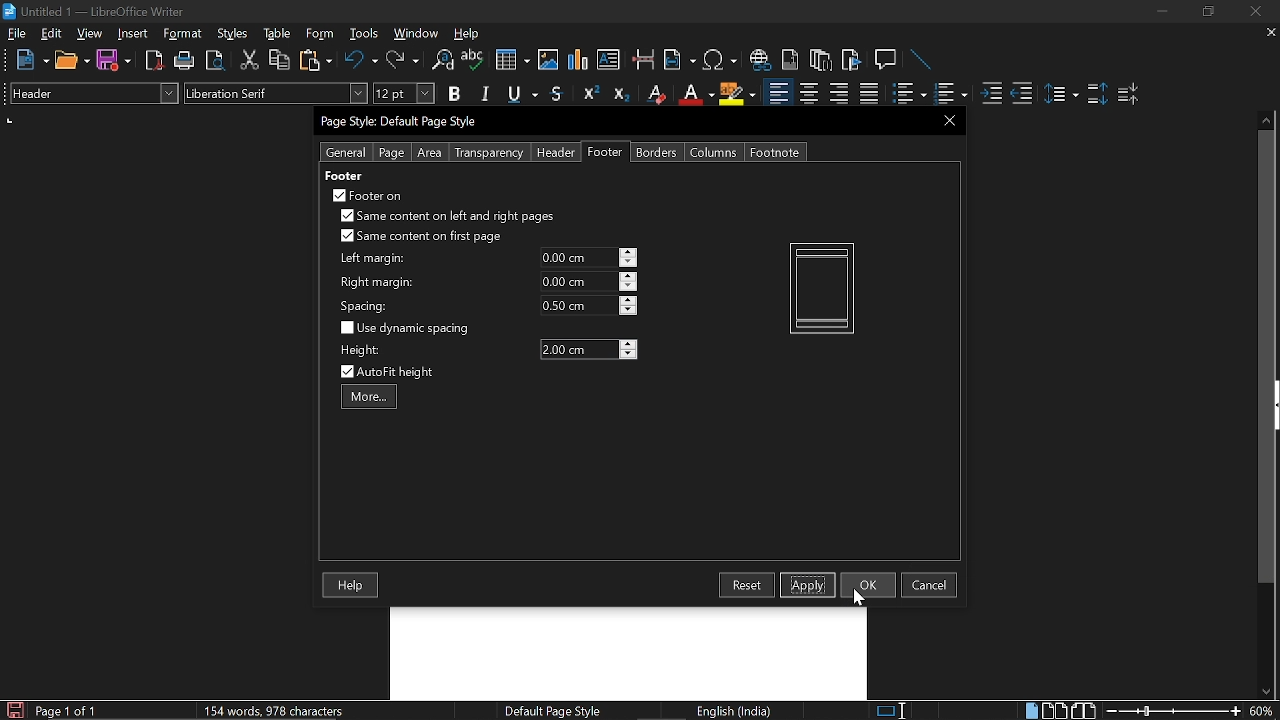 Image resolution: width=1280 pixels, height=720 pixels. I want to click on decrease left margin, so click(629, 263).